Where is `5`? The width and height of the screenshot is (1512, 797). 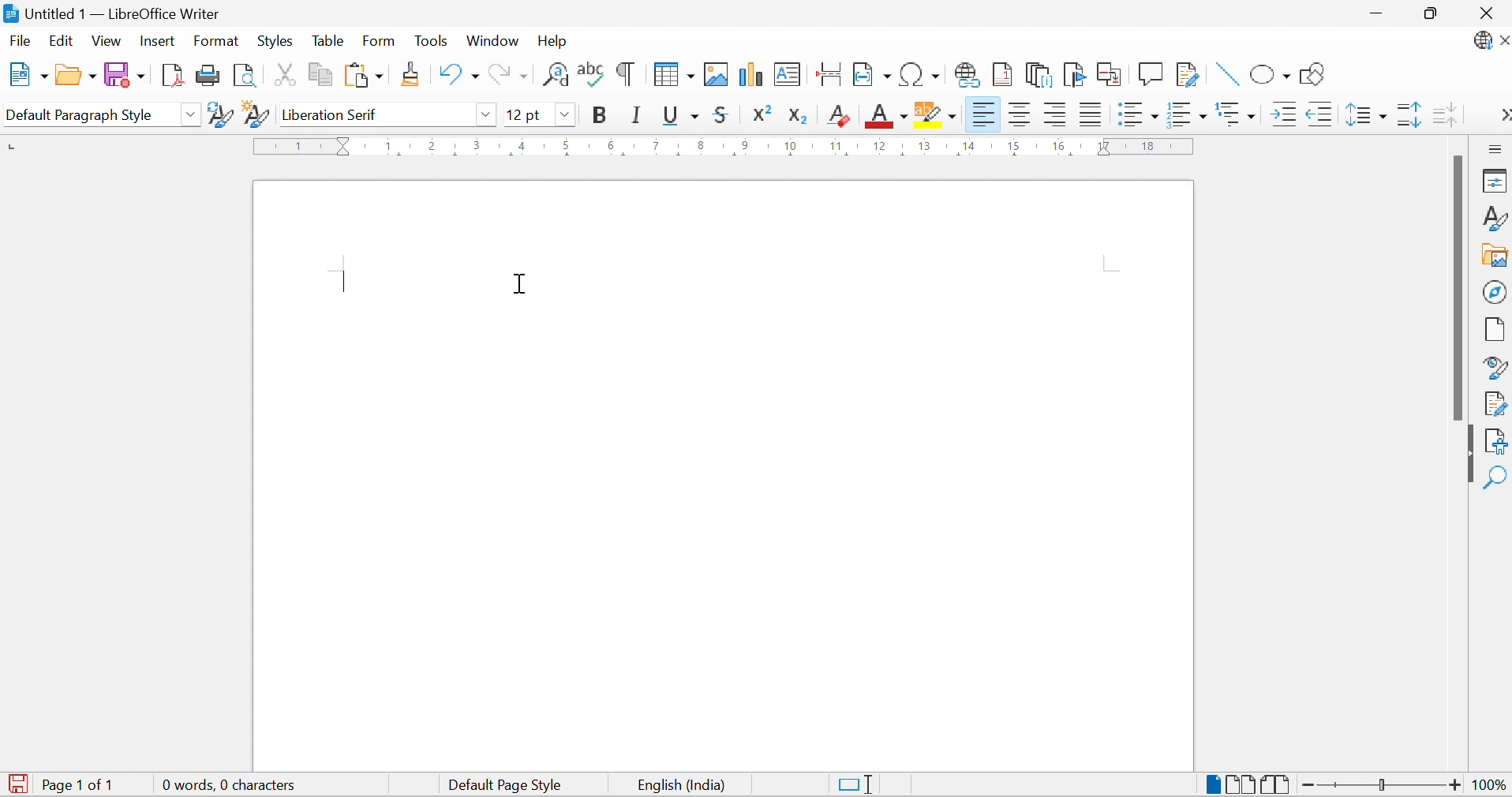
5 is located at coordinates (566, 146).